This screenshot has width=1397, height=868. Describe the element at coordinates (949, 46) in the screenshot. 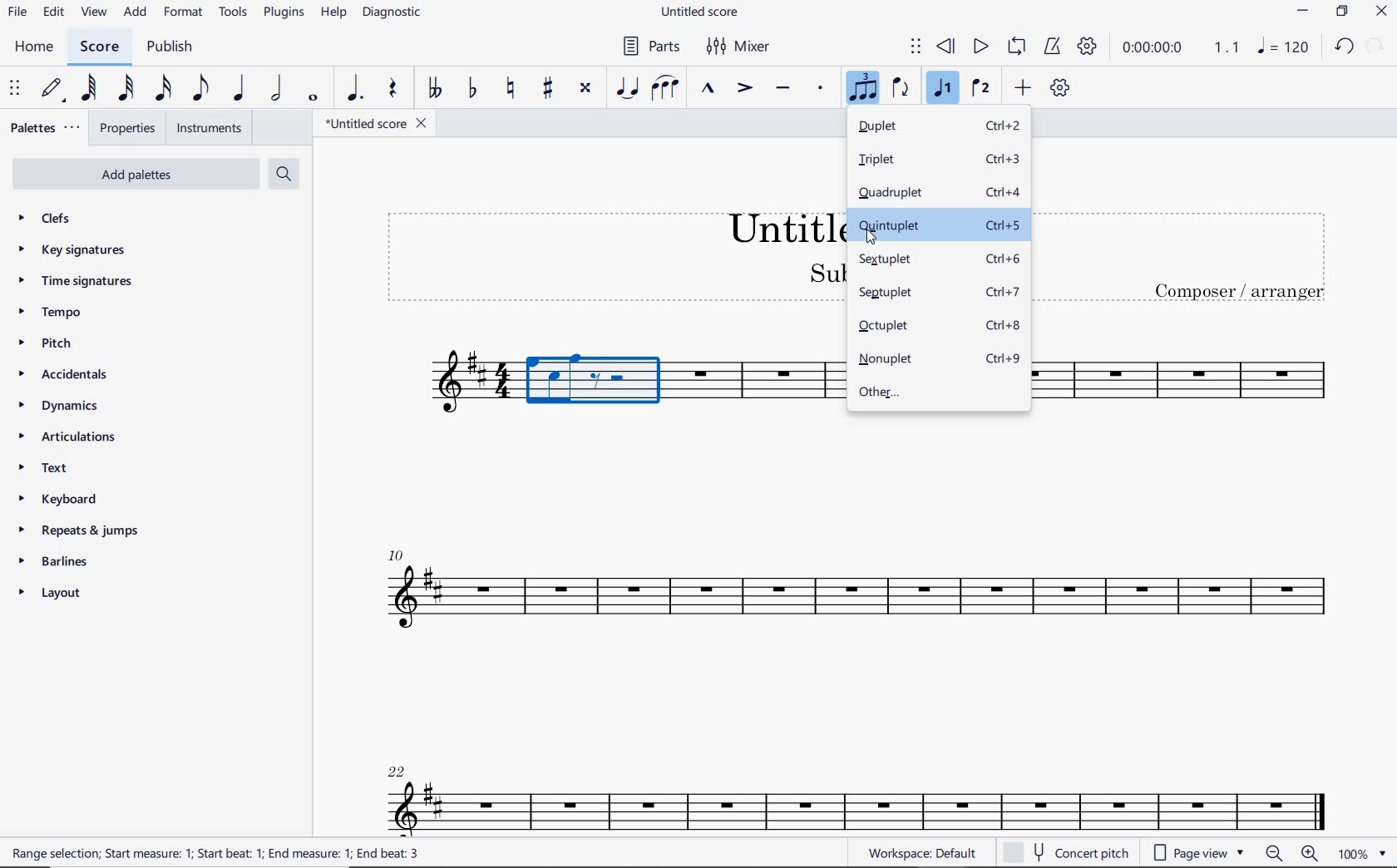

I see `REWIND` at that location.